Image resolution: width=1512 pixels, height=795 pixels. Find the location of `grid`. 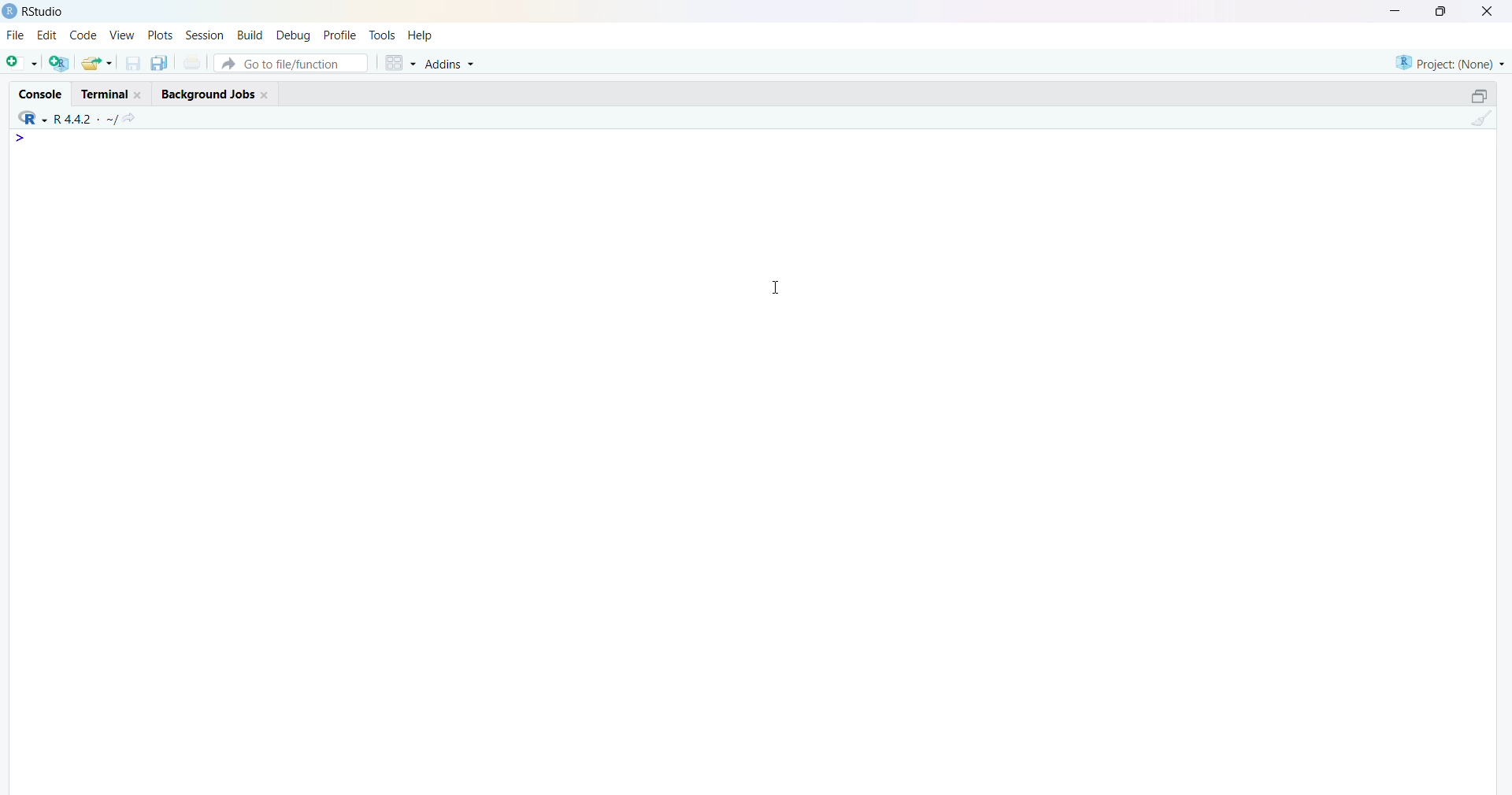

grid is located at coordinates (401, 63).